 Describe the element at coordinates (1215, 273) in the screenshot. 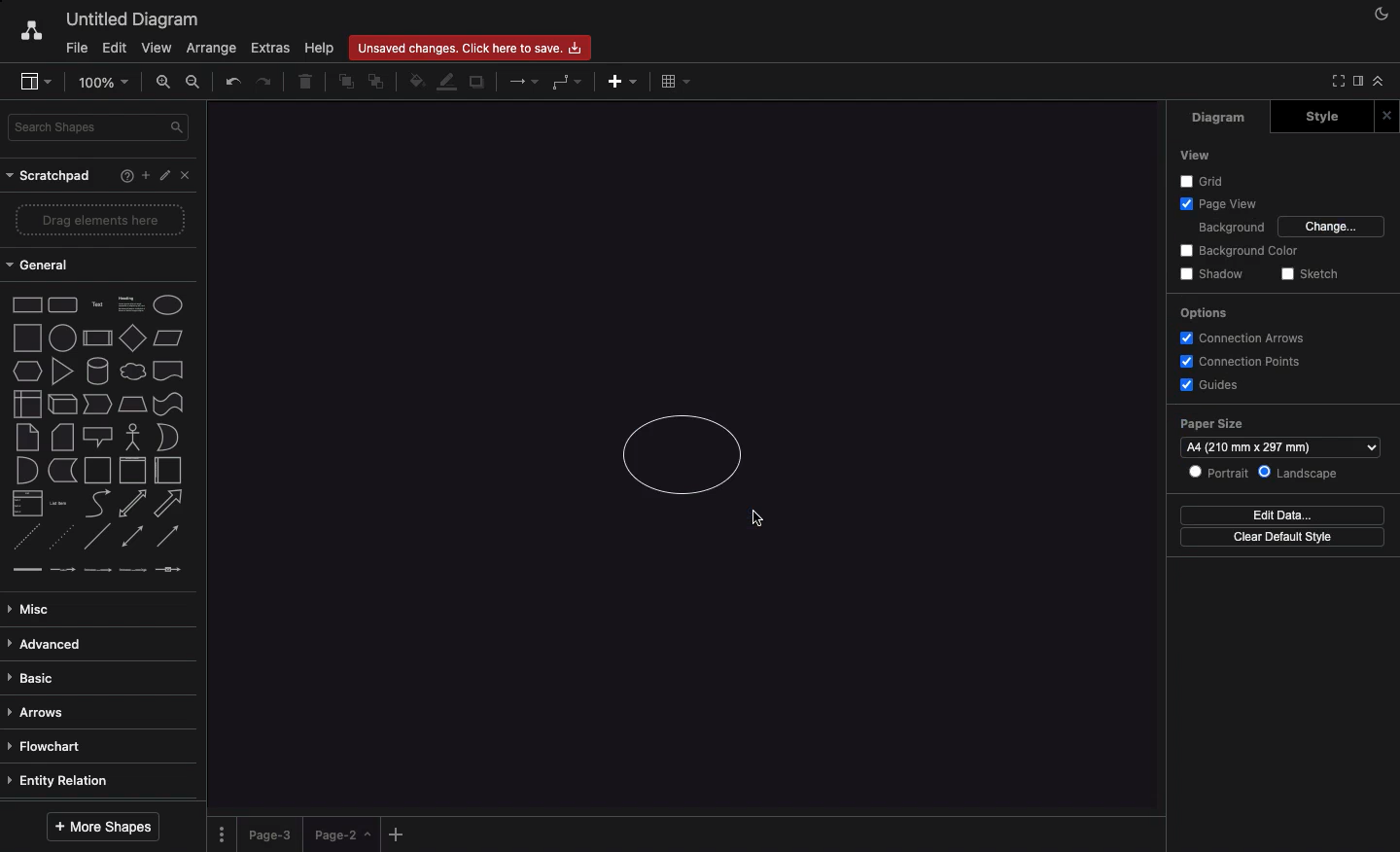

I see `Shadow` at that location.